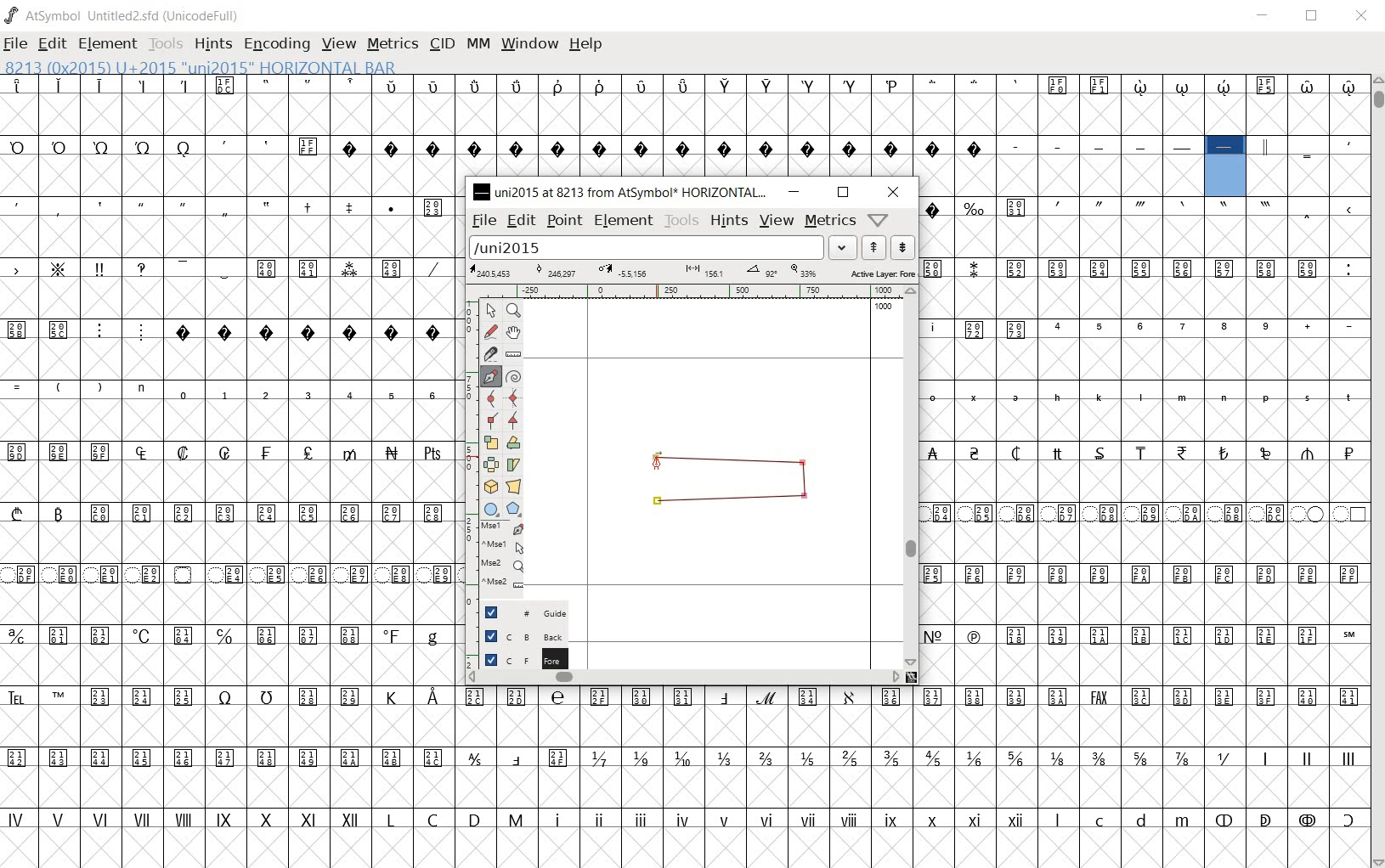 The width and height of the screenshot is (1385, 868). Describe the element at coordinates (395, 45) in the screenshot. I see `METRICS` at that location.